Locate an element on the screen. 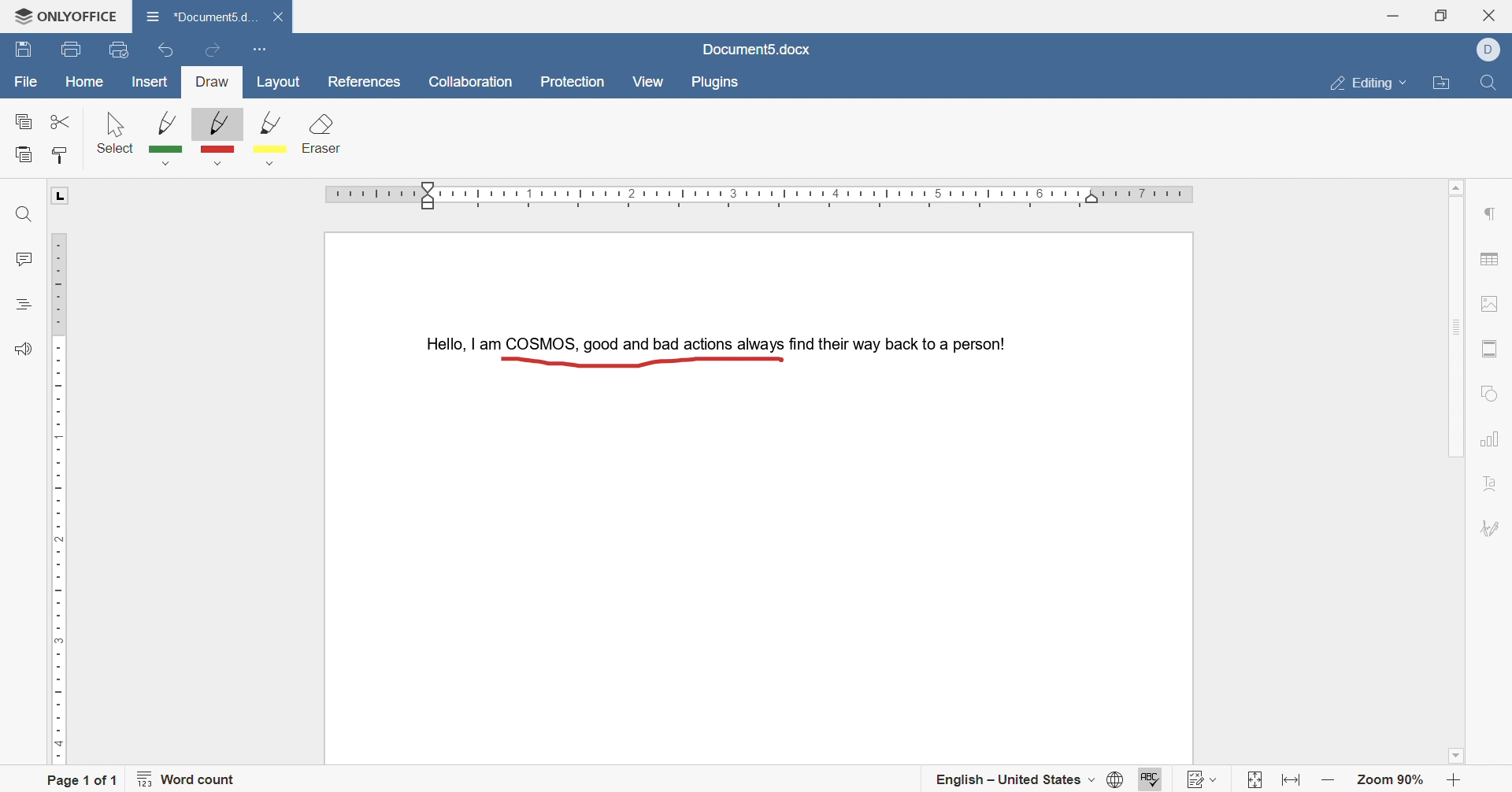 The width and height of the screenshot is (1512, 792). ruler is located at coordinates (57, 495).